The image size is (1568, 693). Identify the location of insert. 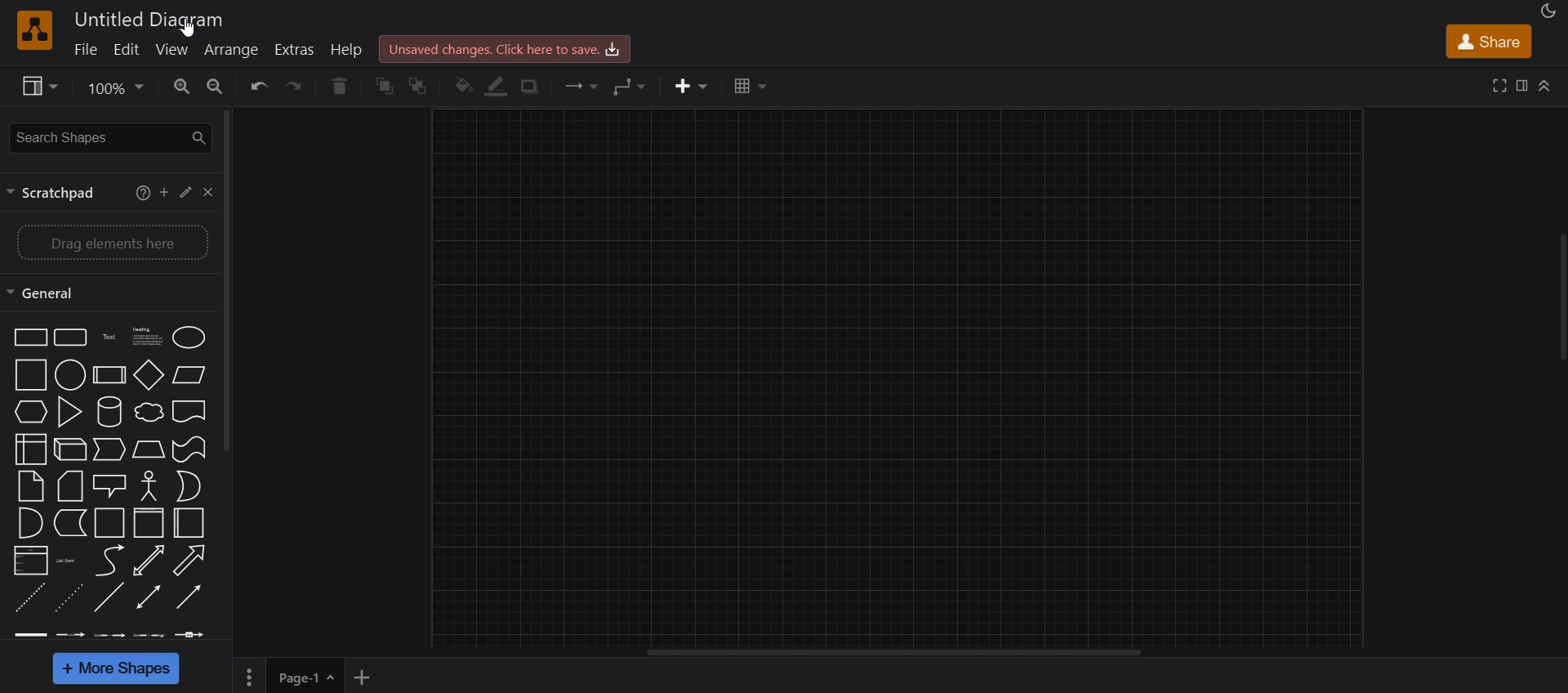
(687, 86).